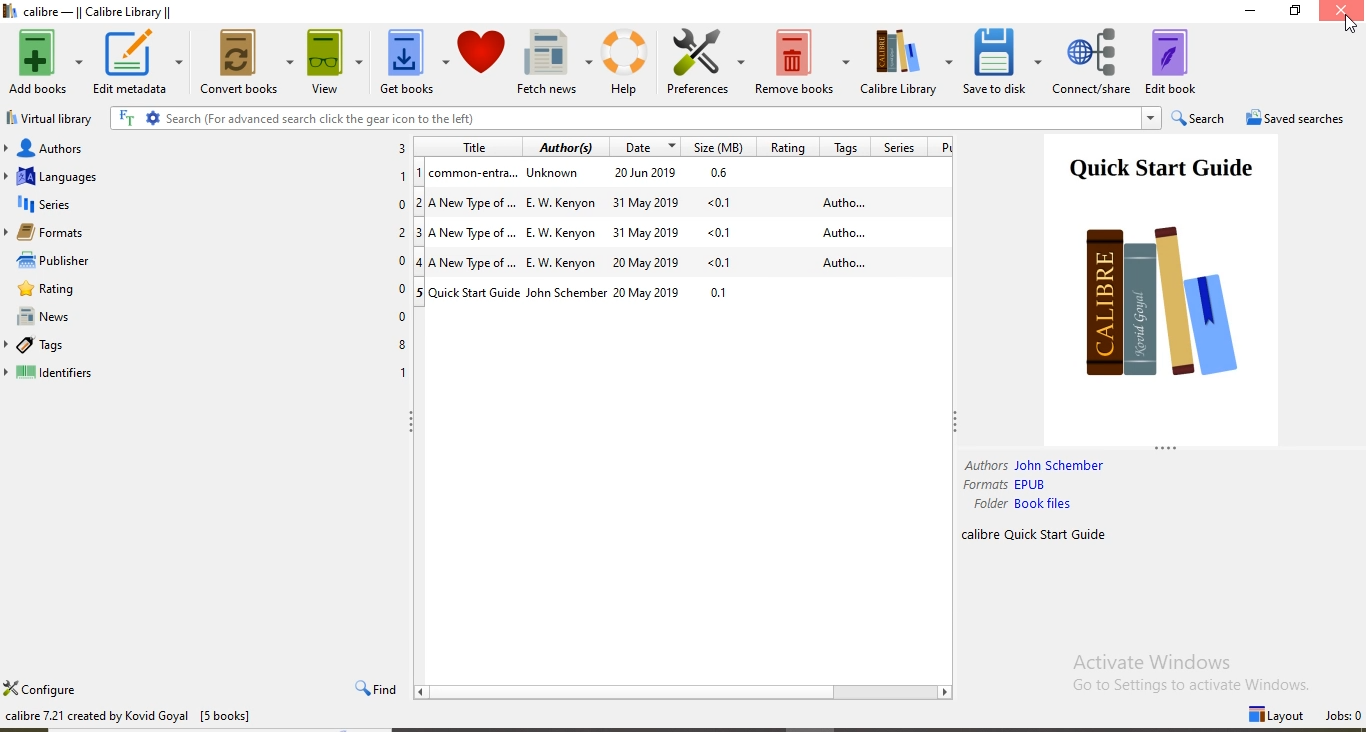  I want to click on common-entra..., so click(474, 173).